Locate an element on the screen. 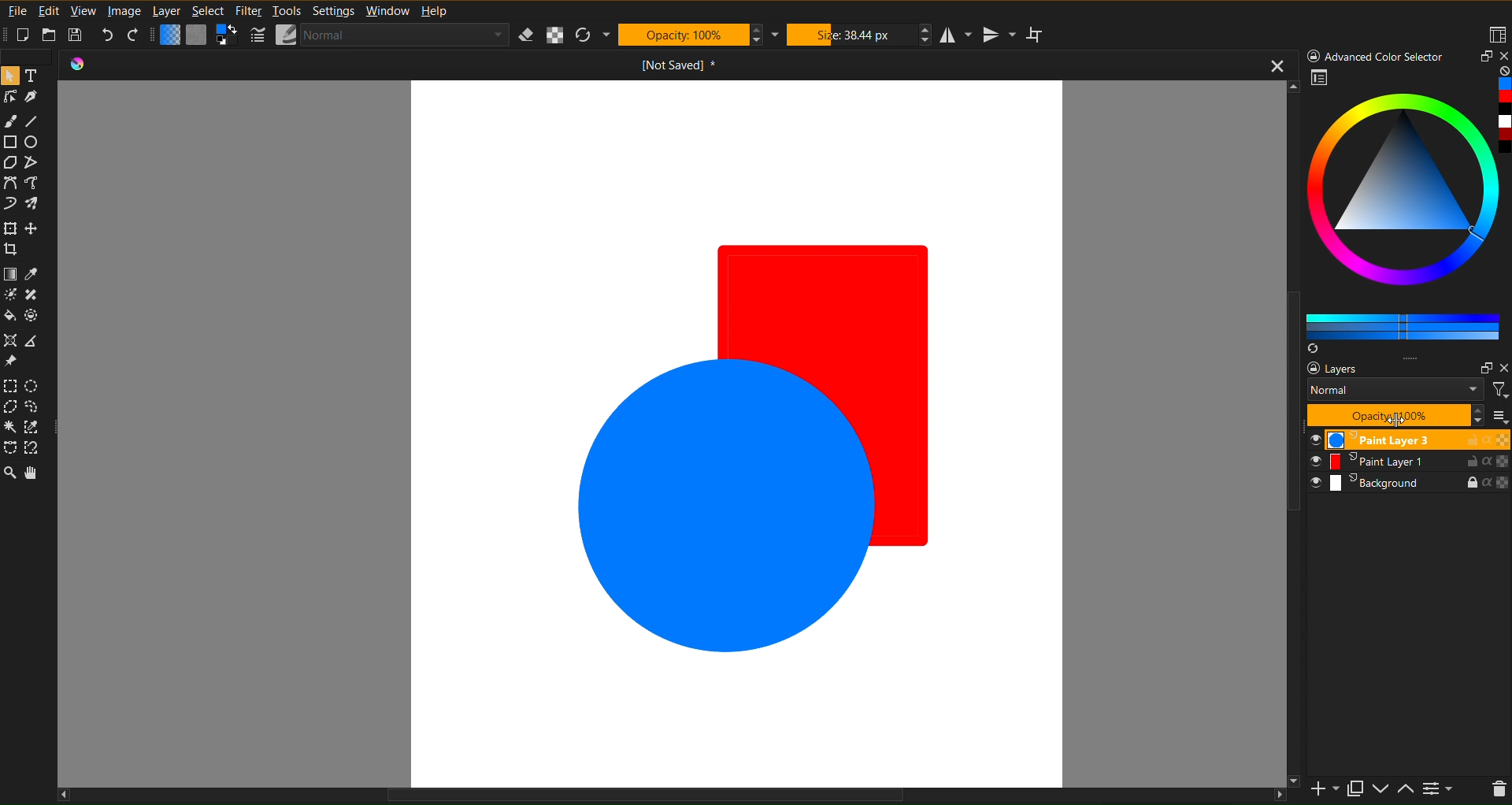 The width and height of the screenshot is (1512, 805). filter is located at coordinates (1498, 392).